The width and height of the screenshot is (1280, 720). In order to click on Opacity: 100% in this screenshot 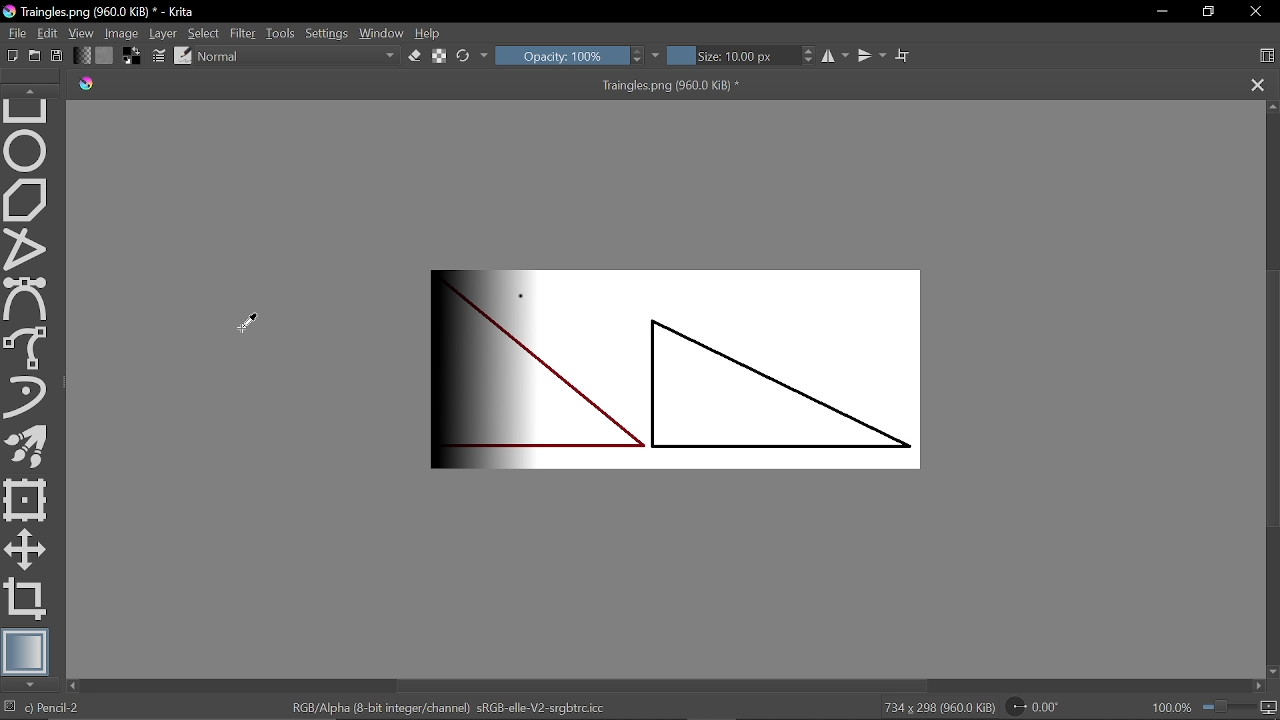, I will do `click(561, 57)`.